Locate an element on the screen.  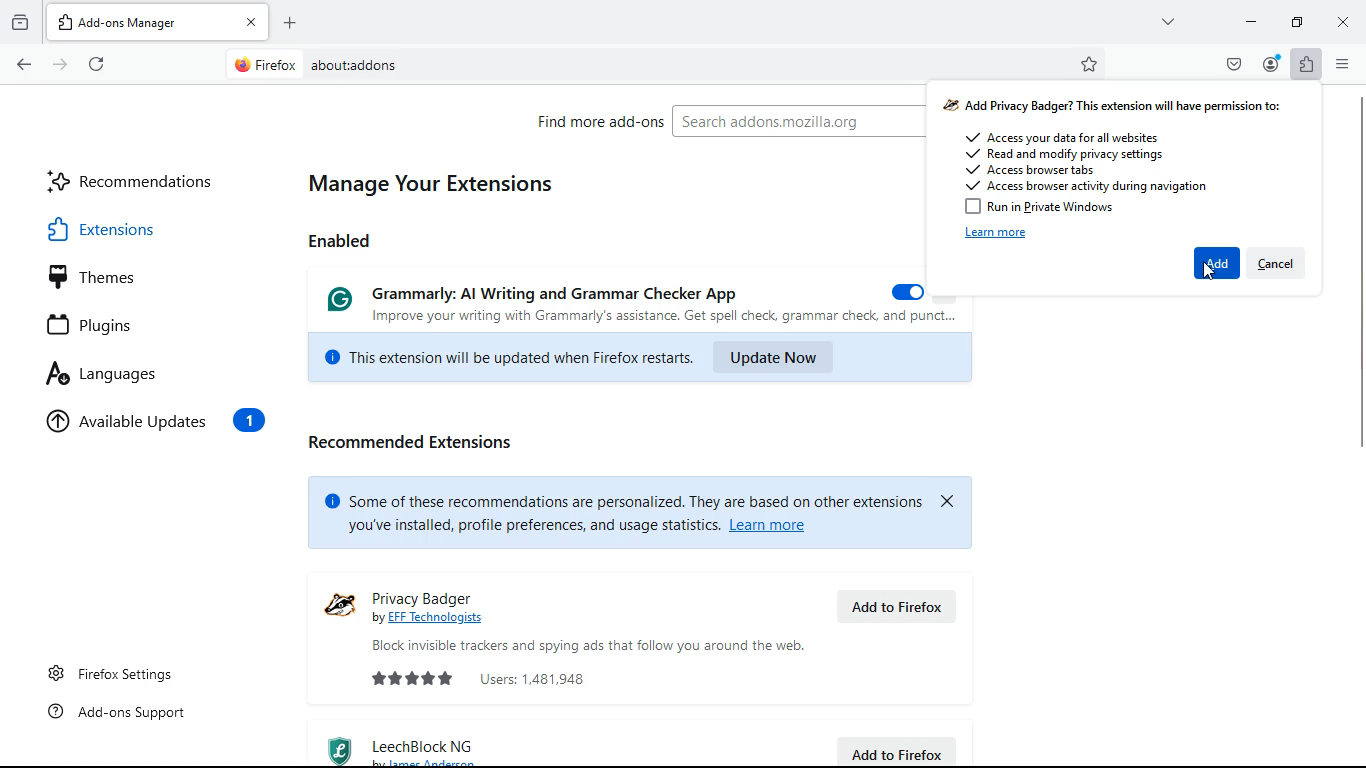
menu is located at coordinates (1344, 64).